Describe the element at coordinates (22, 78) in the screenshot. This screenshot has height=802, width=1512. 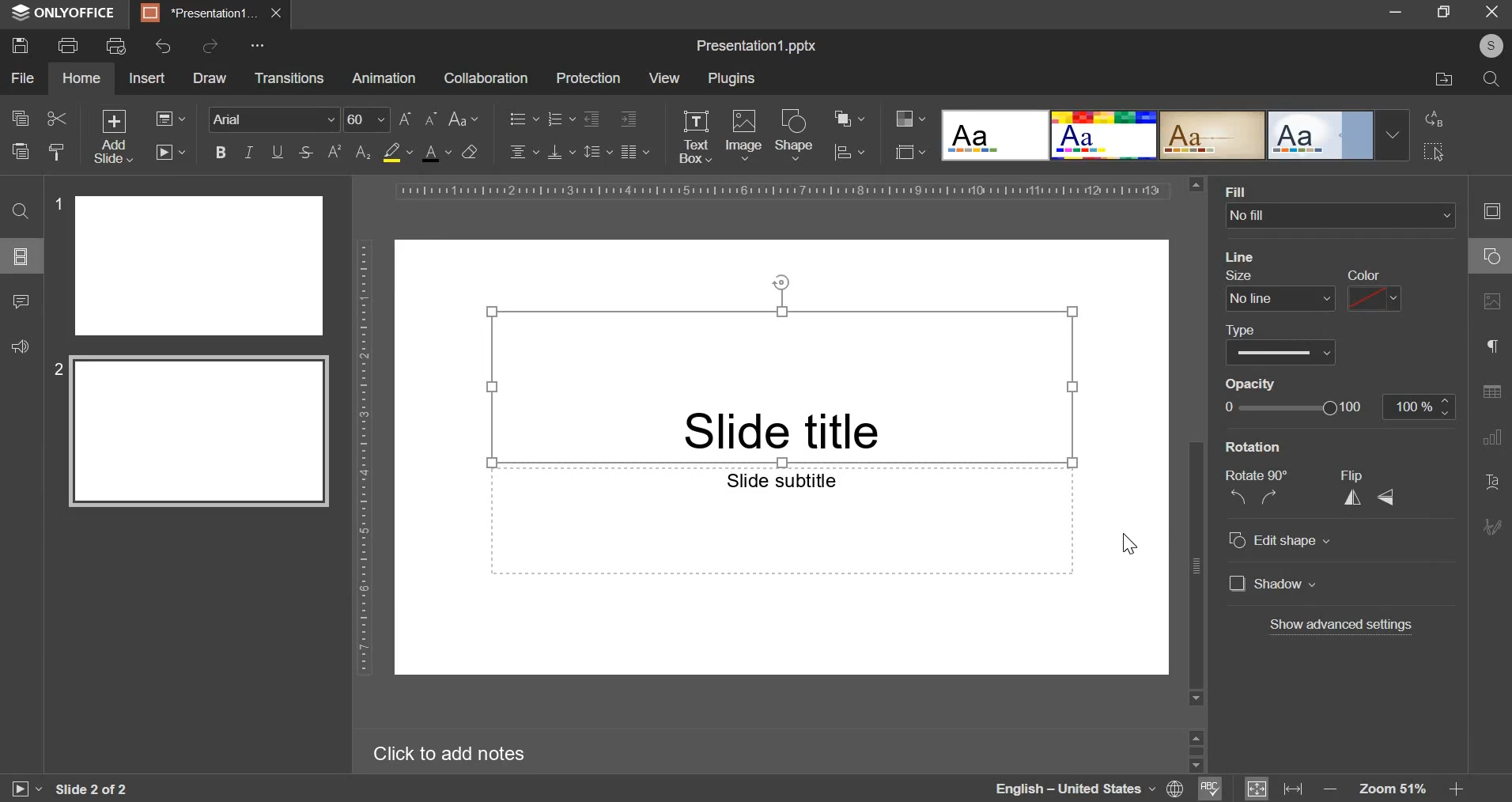
I see `file` at that location.